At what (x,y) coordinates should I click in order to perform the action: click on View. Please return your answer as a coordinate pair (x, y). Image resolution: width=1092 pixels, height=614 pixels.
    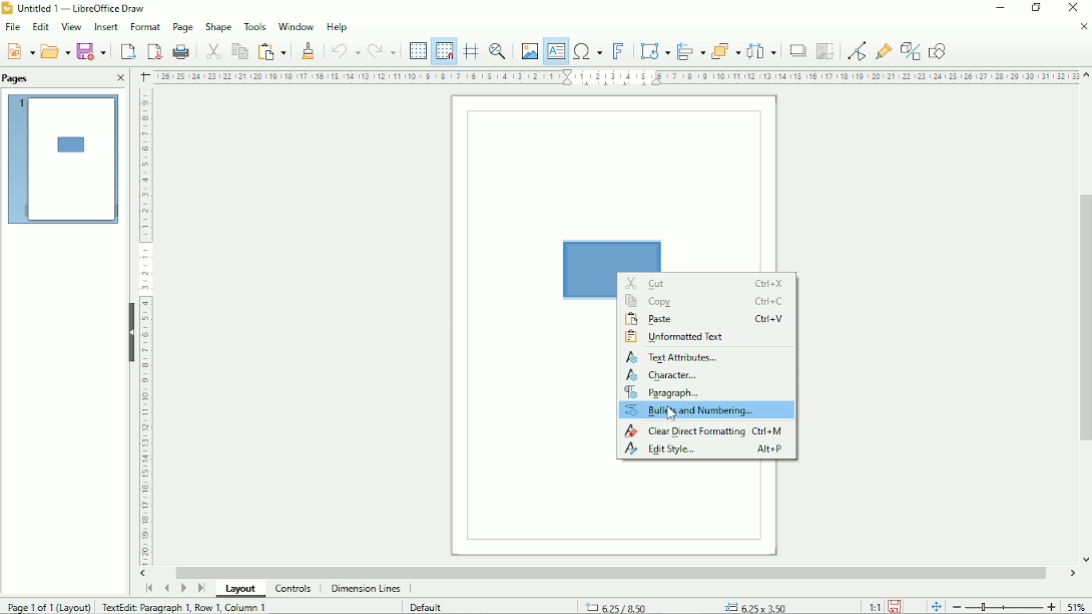
    Looking at the image, I should click on (70, 25).